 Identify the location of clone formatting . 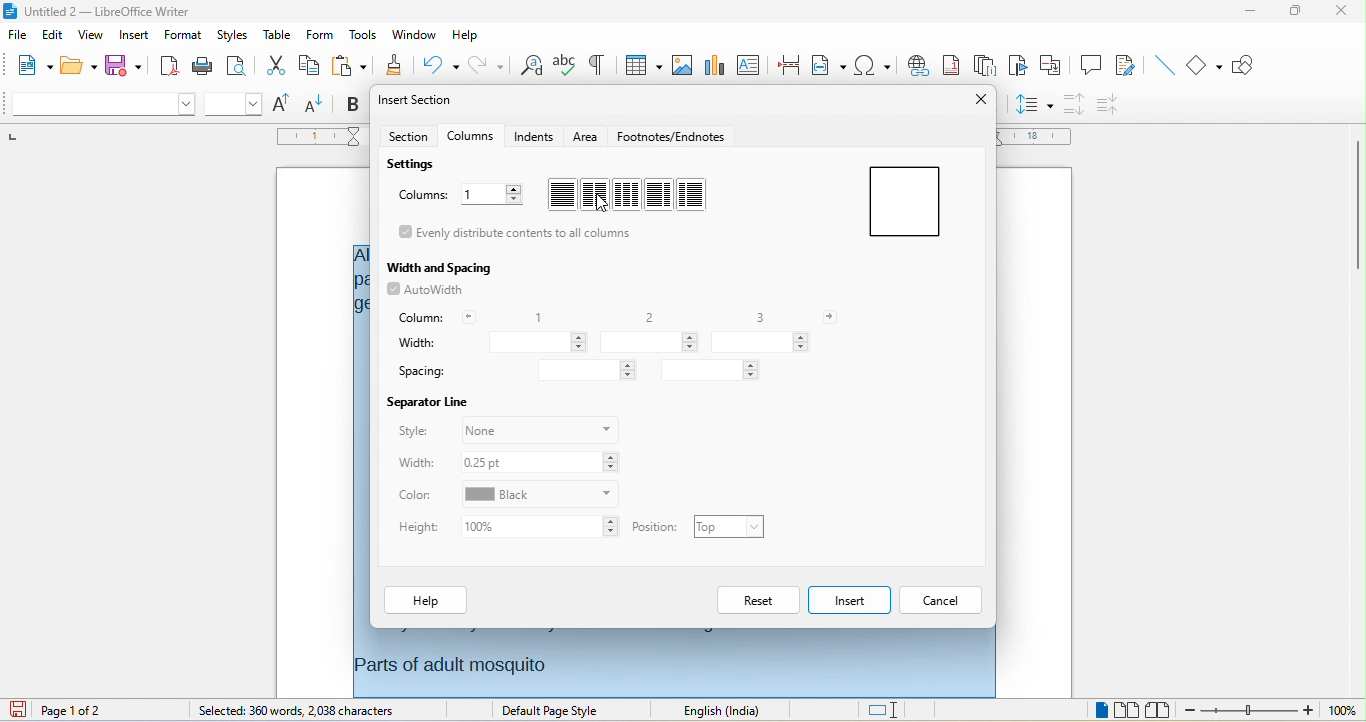
(391, 65).